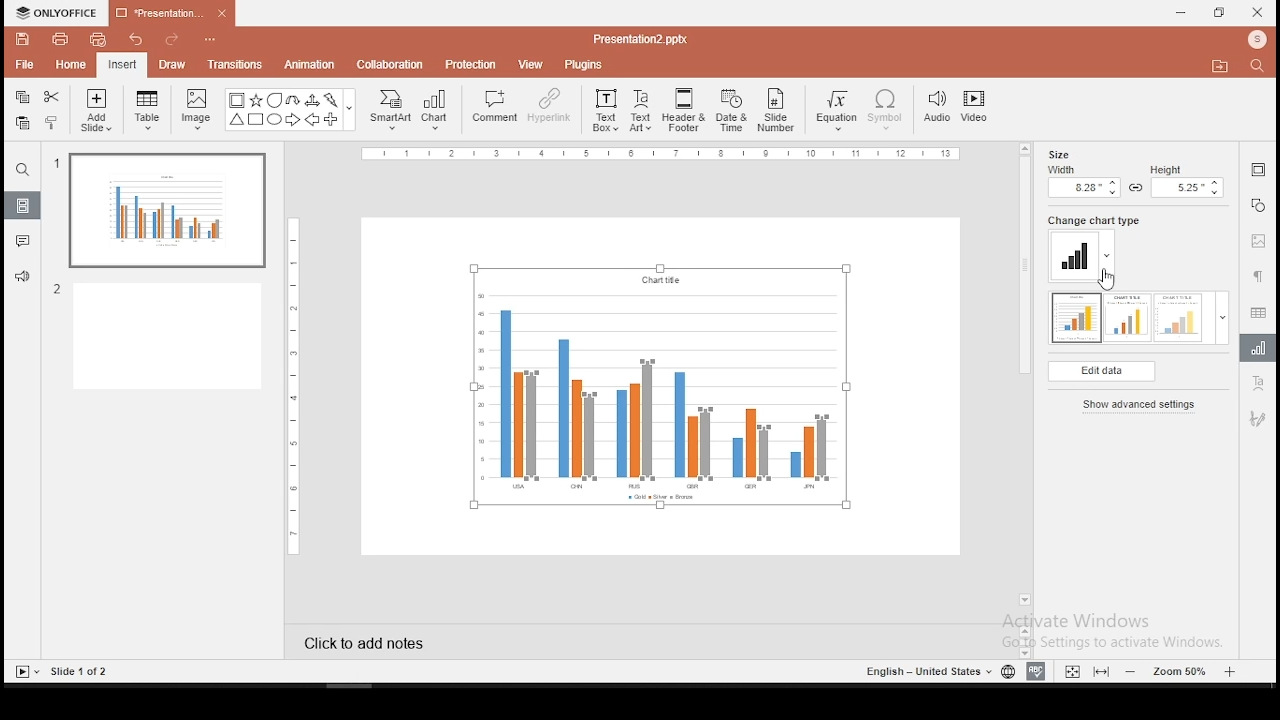 The width and height of the screenshot is (1280, 720). What do you see at coordinates (1258, 348) in the screenshot?
I see `chart settings` at bounding box center [1258, 348].